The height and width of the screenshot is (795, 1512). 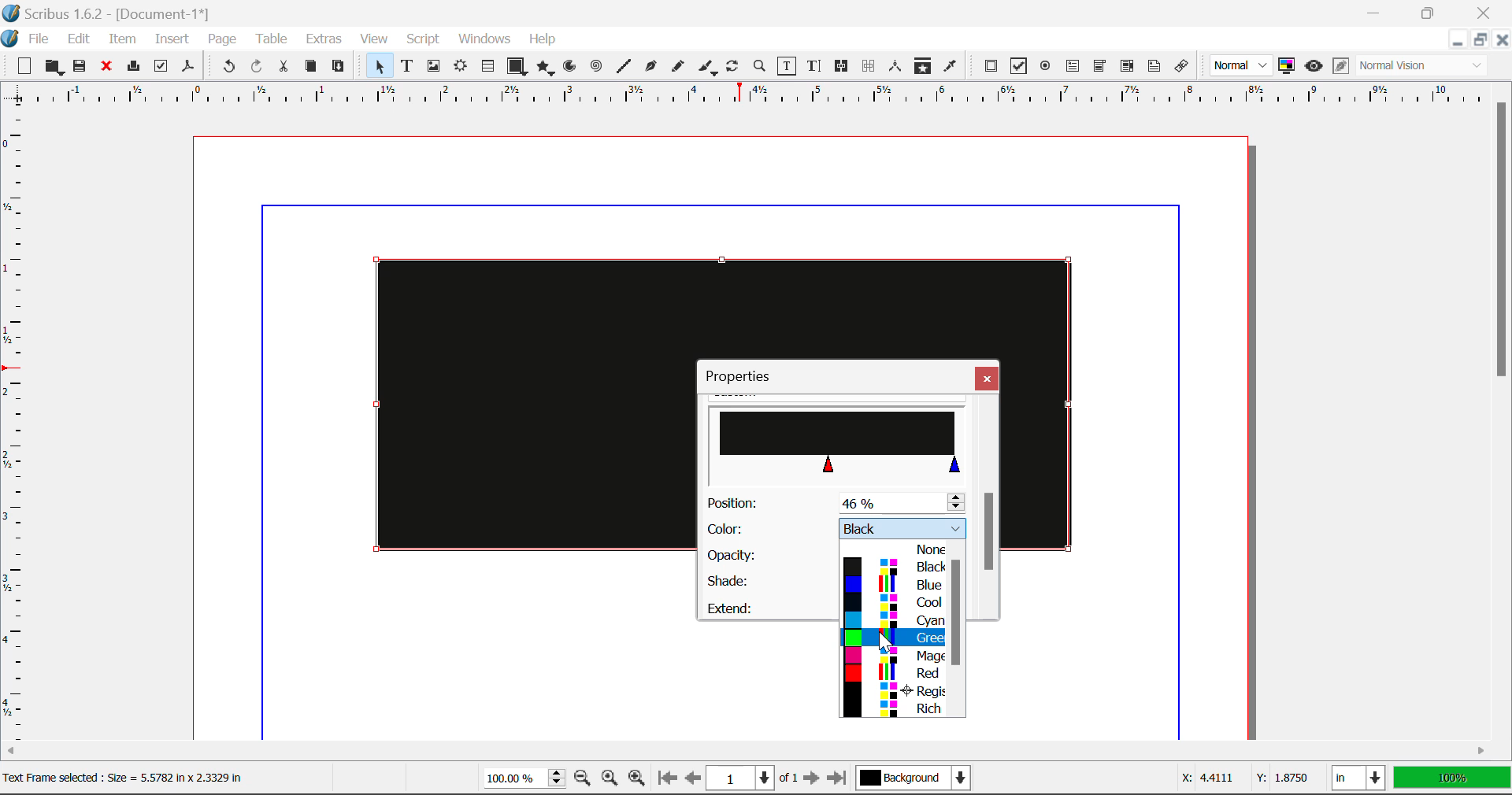 What do you see at coordinates (460, 68) in the screenshot?
I see `Render Frame` at bounding box center [460, 68].